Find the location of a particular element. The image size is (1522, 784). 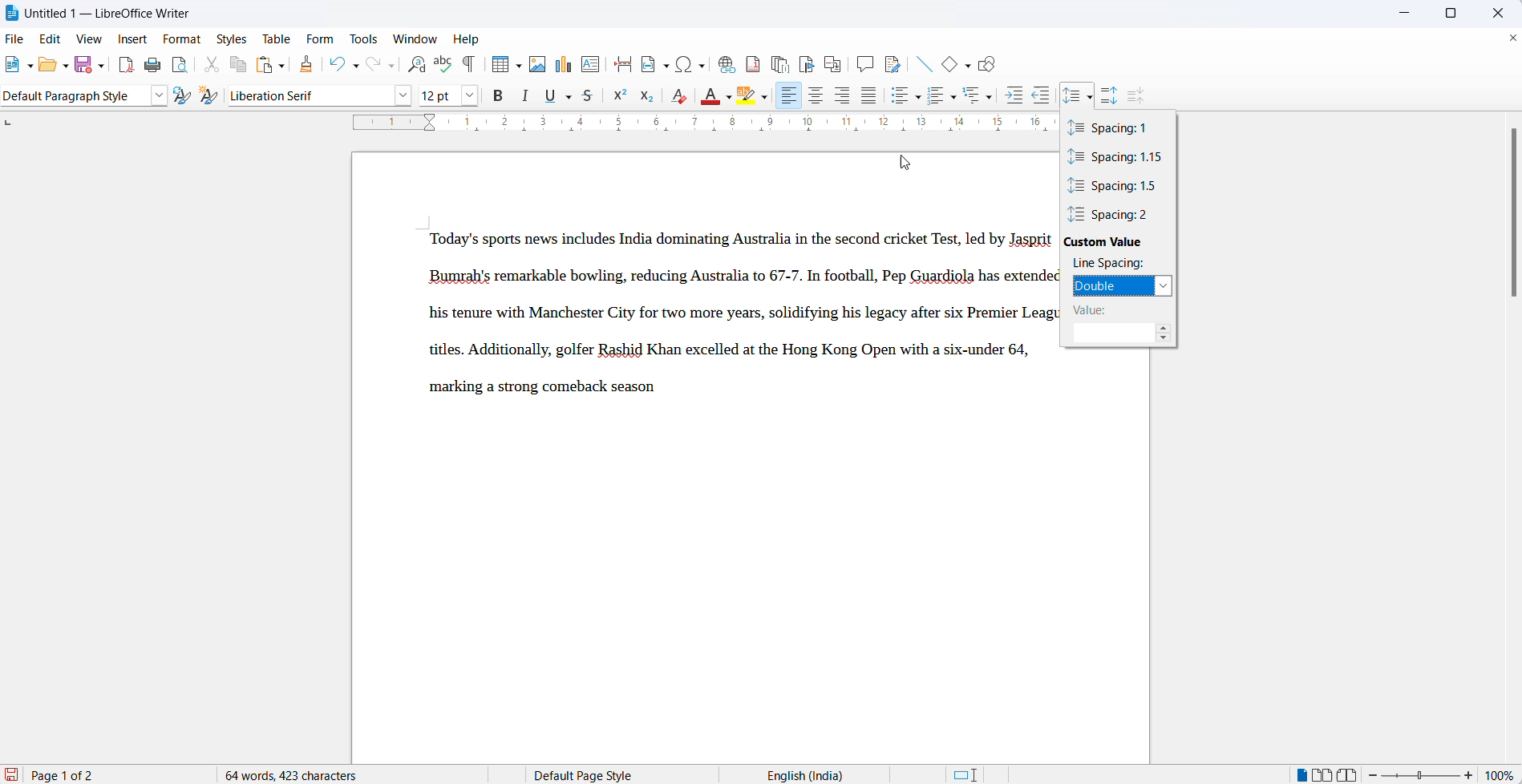

new style from selections is located at coordinates (209, 95).